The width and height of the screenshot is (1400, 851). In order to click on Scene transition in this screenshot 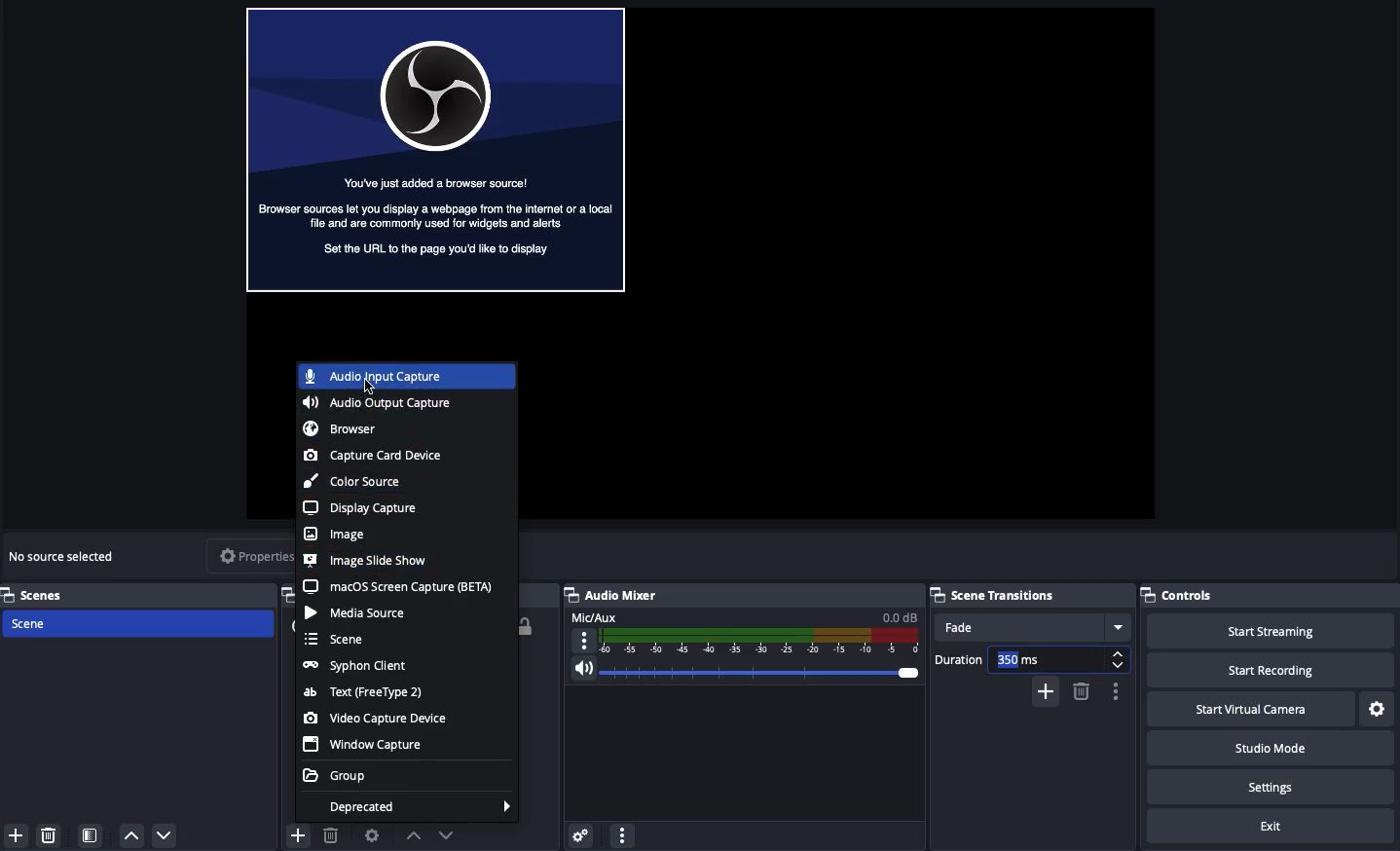, I will do `click(1026, 595)`.